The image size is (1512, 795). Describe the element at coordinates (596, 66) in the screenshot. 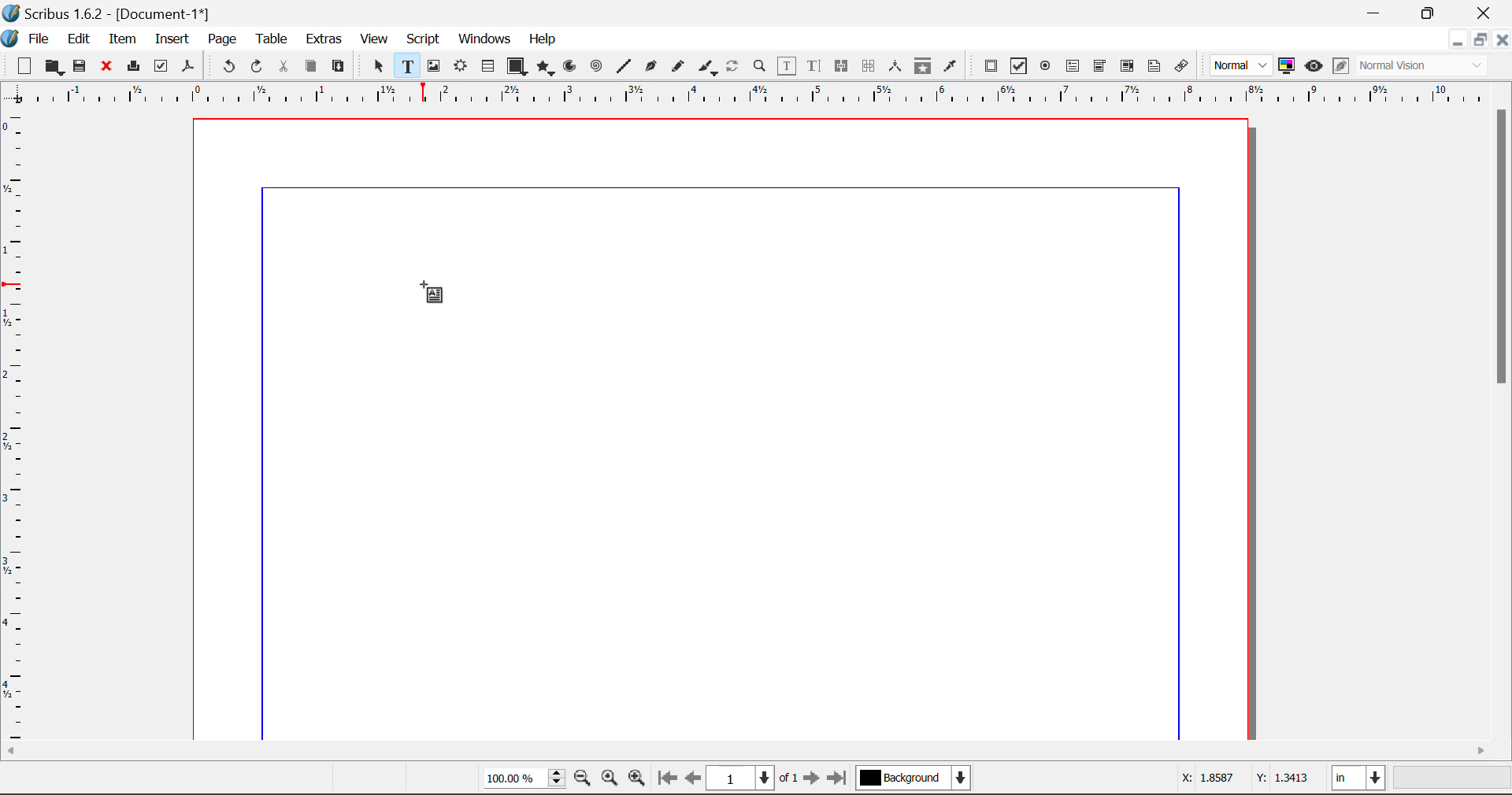

I see `Spiral` at that location.